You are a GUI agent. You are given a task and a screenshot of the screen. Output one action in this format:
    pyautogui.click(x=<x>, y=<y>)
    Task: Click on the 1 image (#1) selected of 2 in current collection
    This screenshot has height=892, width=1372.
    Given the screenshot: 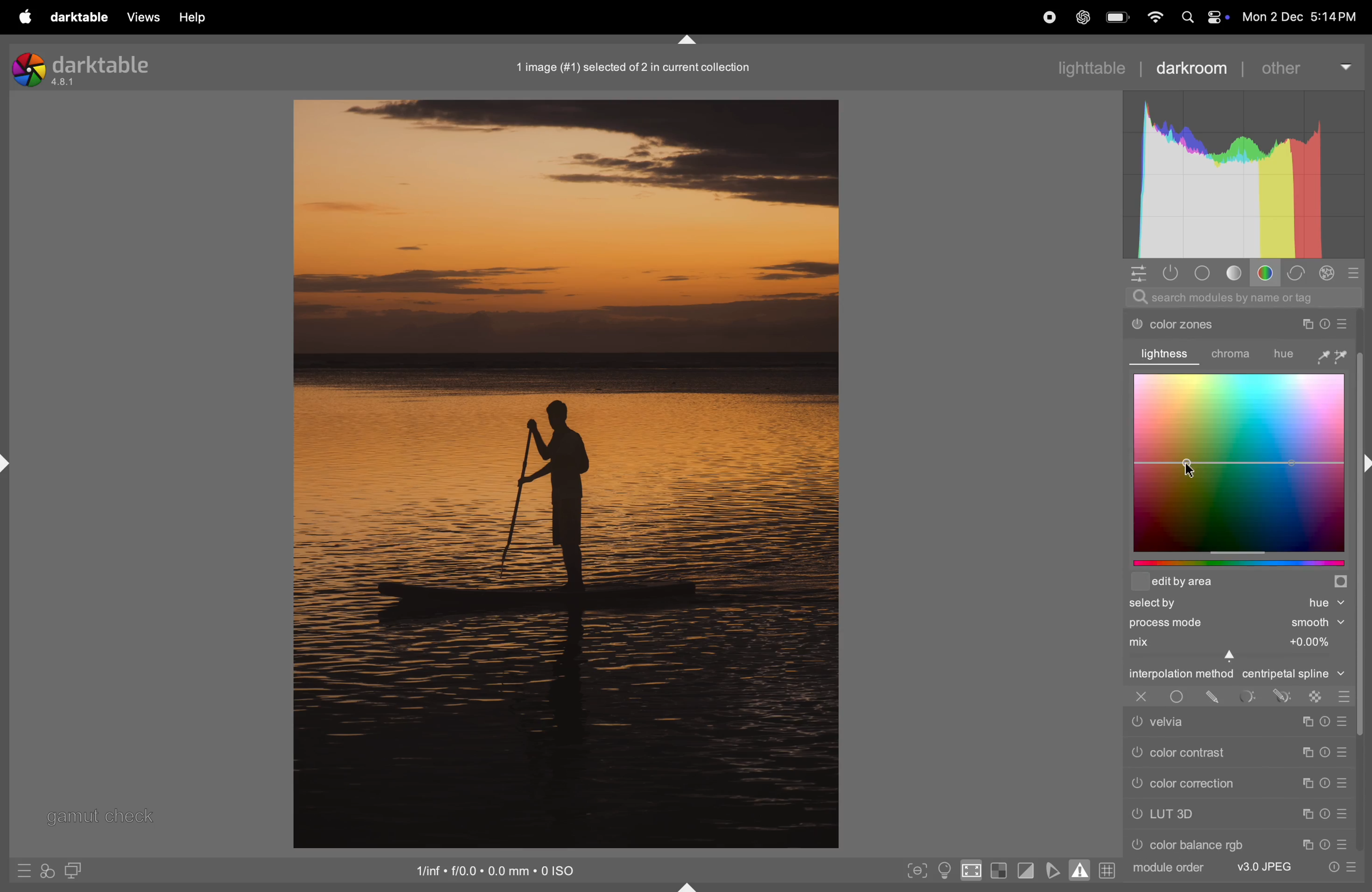 What is the action you would take?
    pyautogui.click(x=632, y=69)
    